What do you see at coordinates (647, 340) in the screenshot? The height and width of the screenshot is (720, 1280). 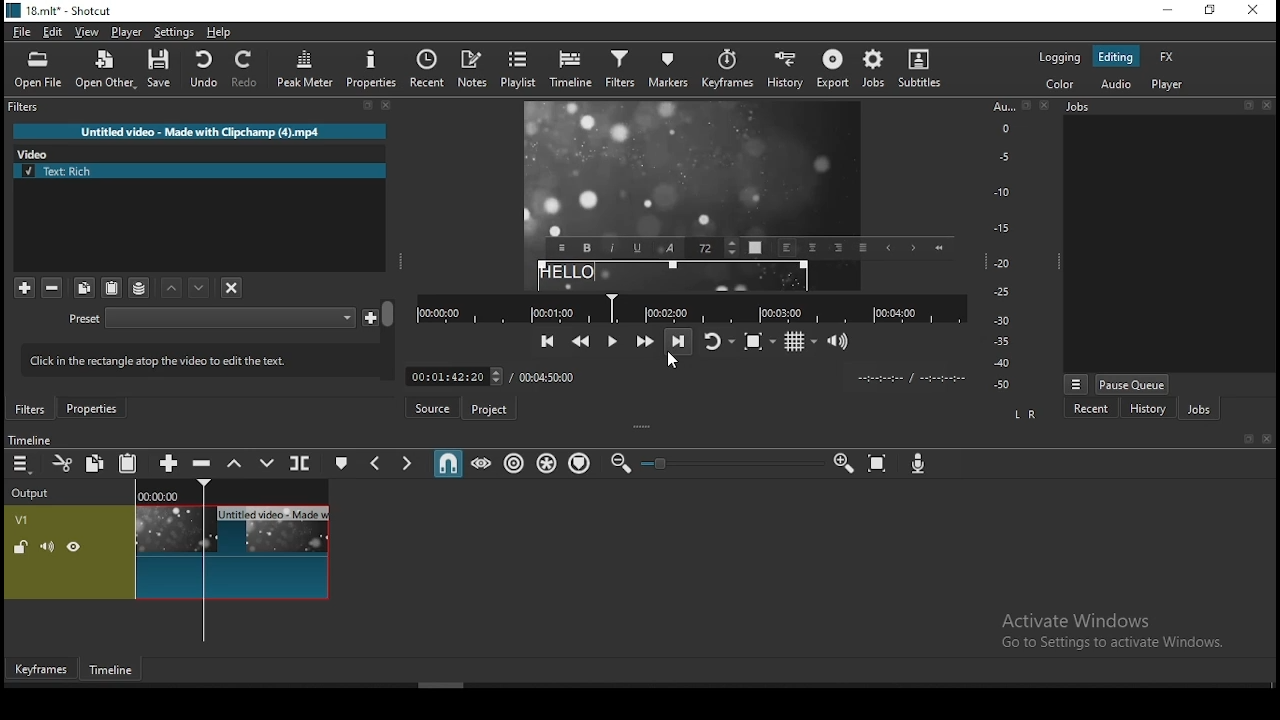 I see `play quickly forwards` at bounding box center [647, 340].